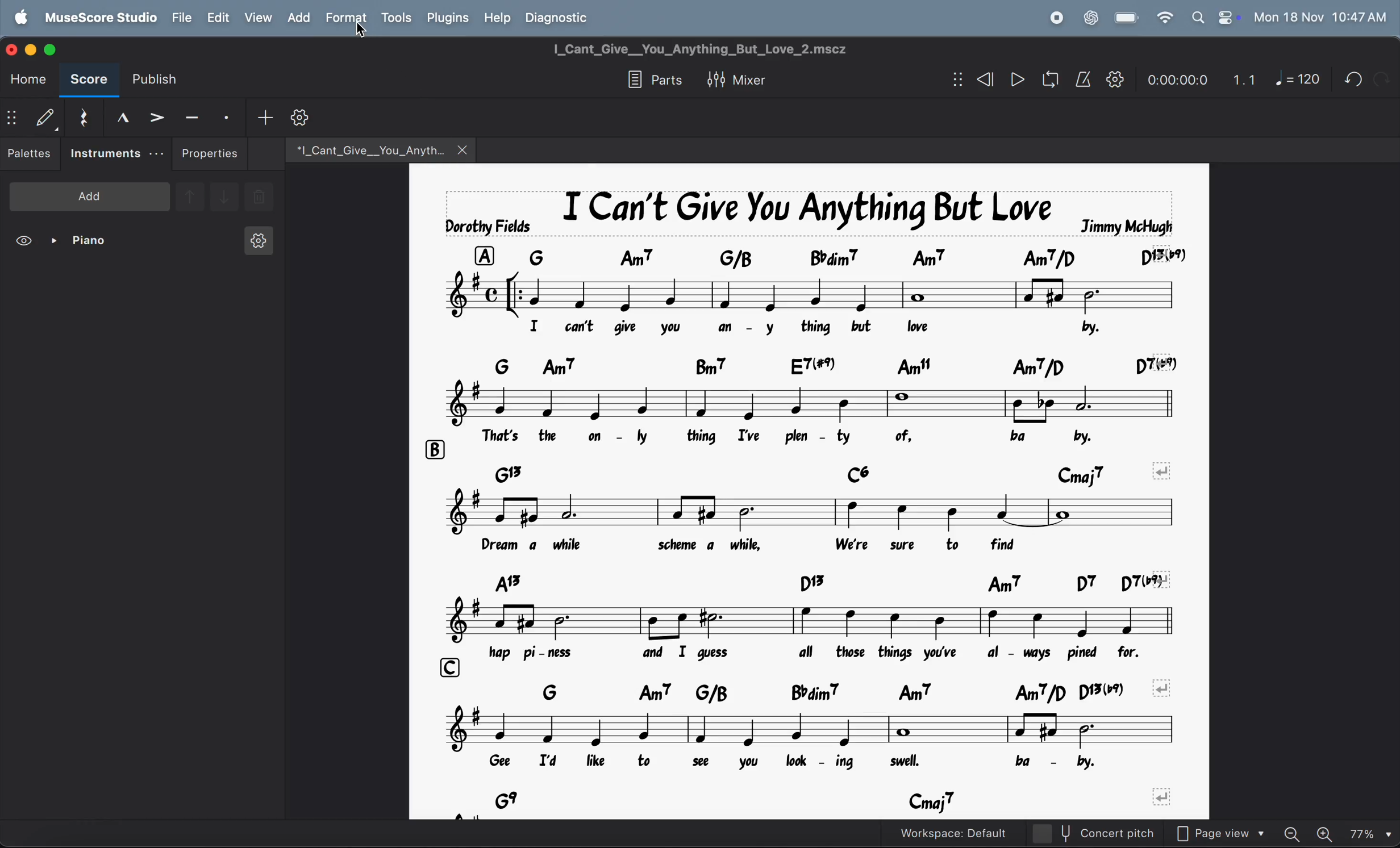 The height and width of the screenshot is (848, 1400). Describe the element at coordinates (806, 437) in the screenshot. I see `lyrics` at that location.